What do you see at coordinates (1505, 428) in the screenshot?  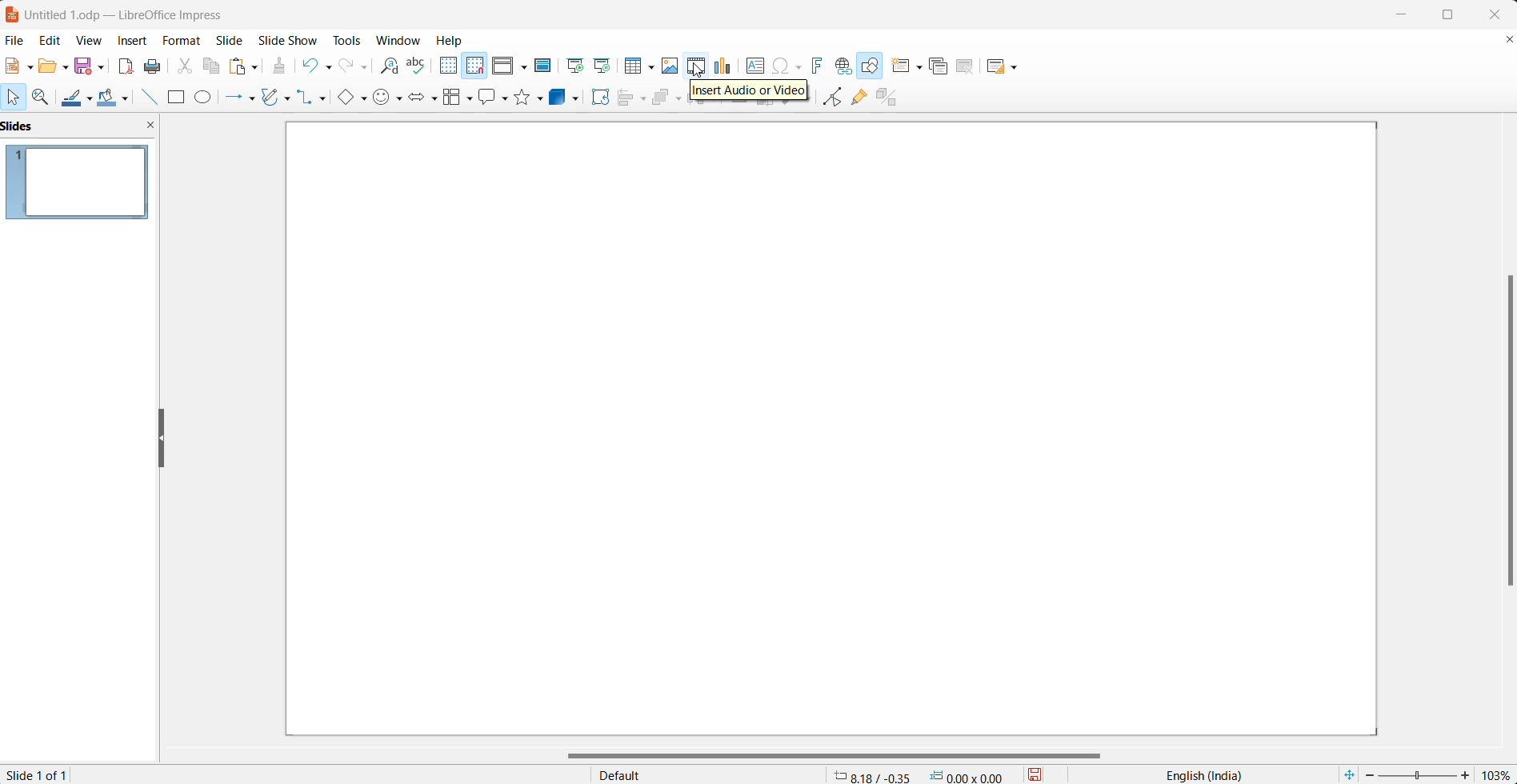 I see `vertical scroll bar` at bounding box center [1505, 428].